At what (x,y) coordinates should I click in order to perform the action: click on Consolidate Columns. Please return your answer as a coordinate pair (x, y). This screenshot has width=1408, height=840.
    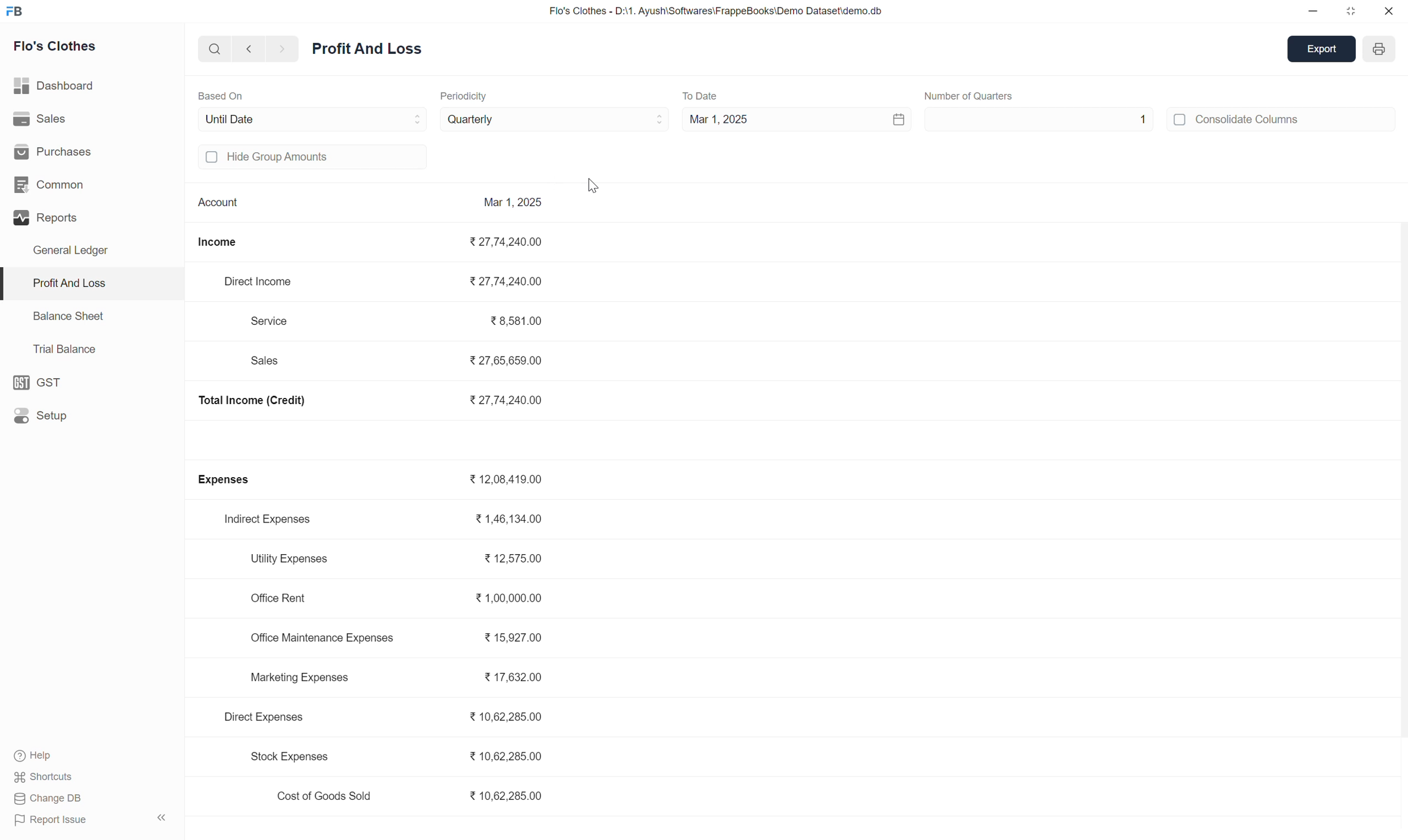
    Looking at the image, I should click on (1239, 122).